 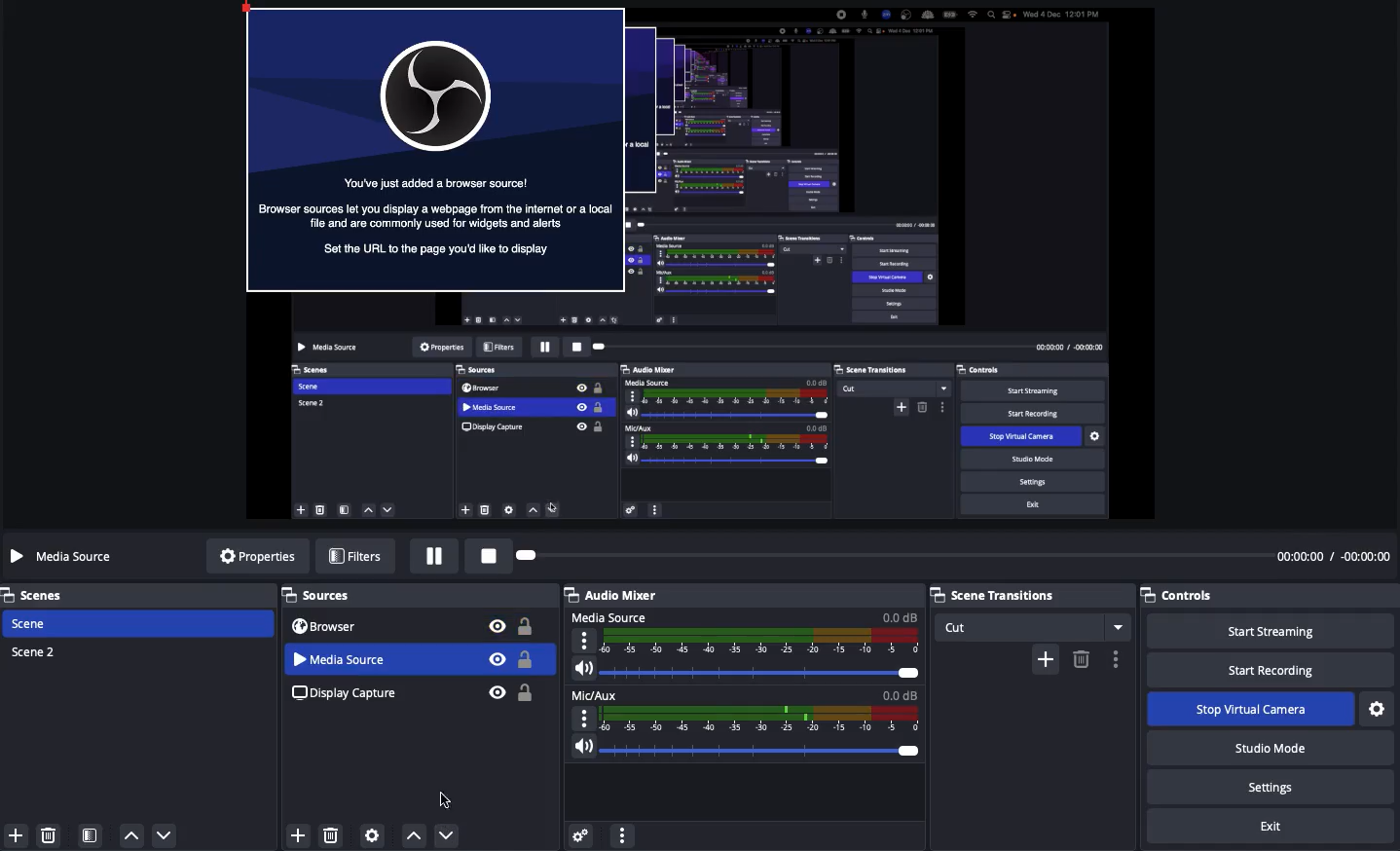 I want to click on Remove, so click(x=1082, y=660).